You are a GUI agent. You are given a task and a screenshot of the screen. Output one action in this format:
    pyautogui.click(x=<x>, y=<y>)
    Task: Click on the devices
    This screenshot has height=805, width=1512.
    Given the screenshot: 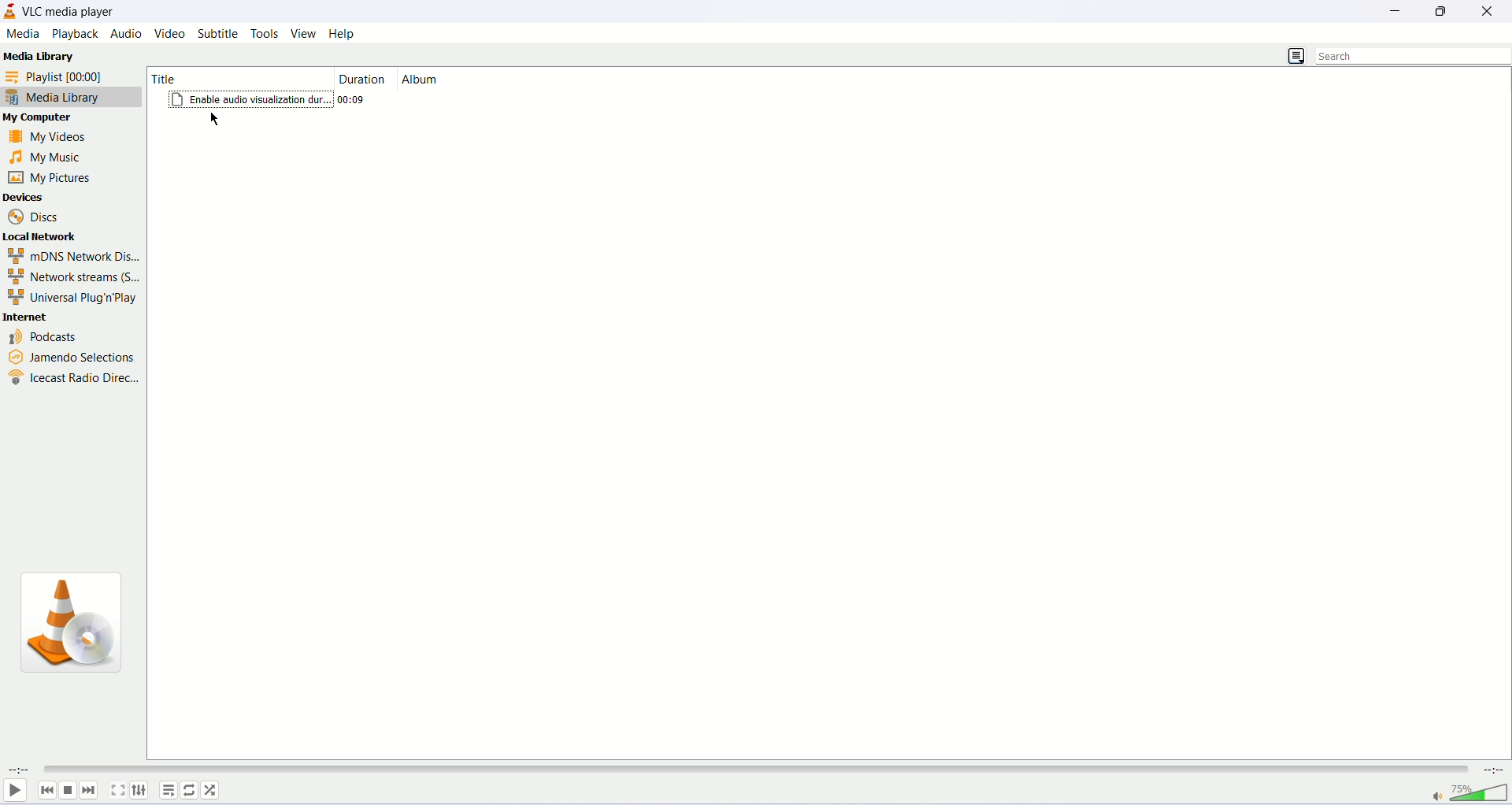 What is the action you would take?
    pyautogui.click(x=56, y=196)
    